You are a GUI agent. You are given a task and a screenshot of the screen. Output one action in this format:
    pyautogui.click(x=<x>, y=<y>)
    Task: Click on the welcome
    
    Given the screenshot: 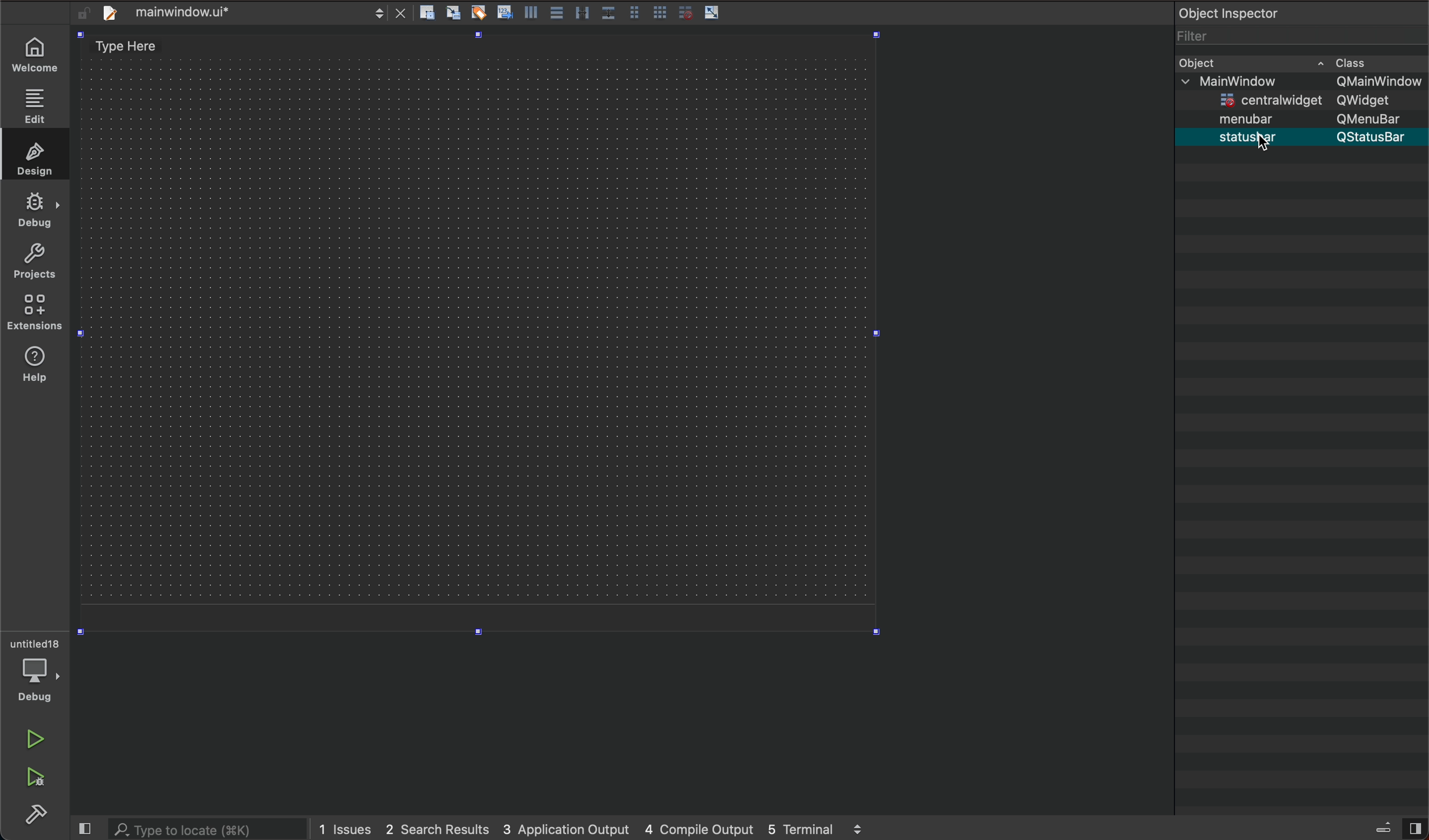 What is the action you would take?
    pyautogui.click(x=33, y=54)
    